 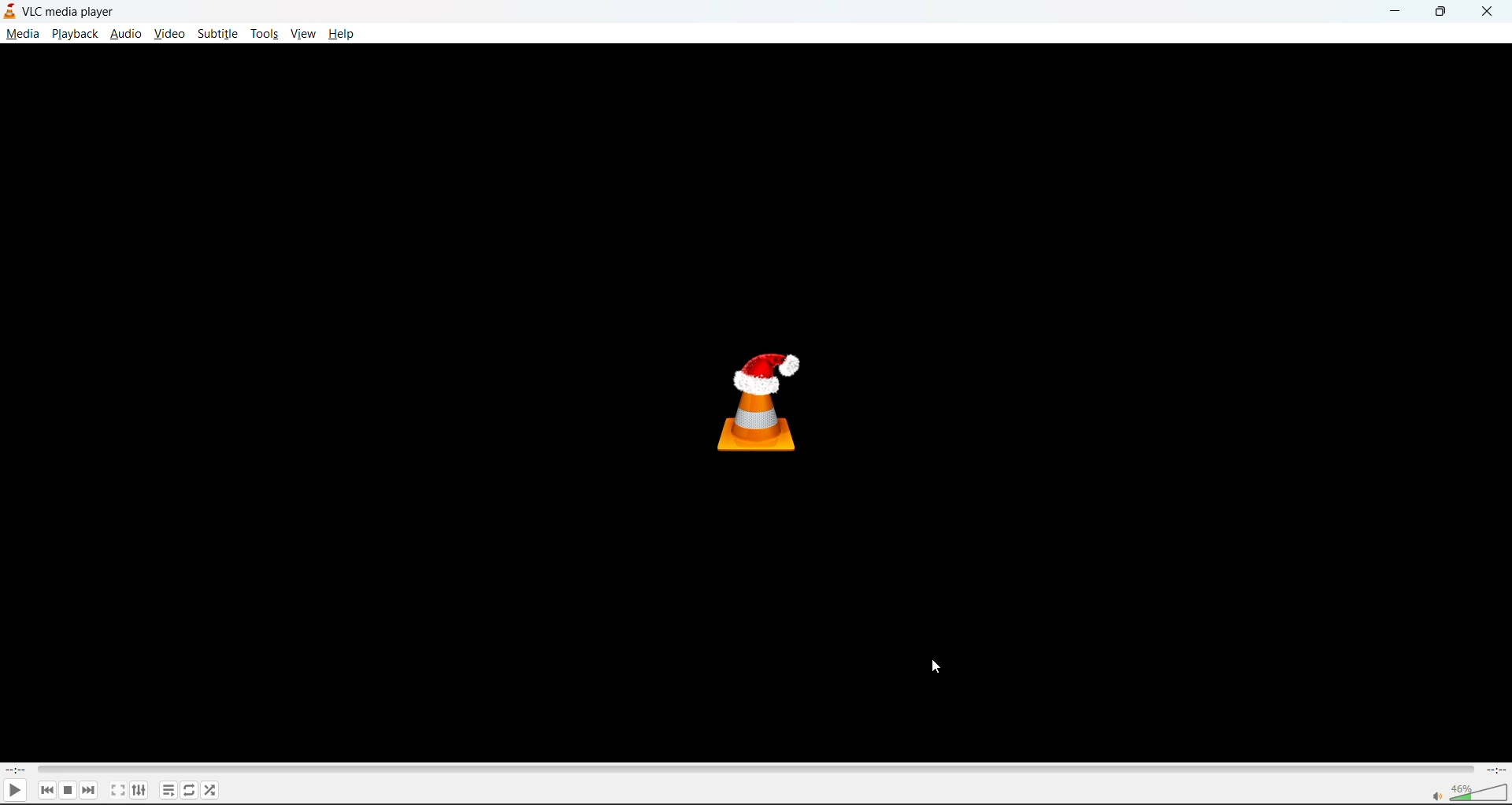 I want to click on cursor, so click(x=935, y=667).